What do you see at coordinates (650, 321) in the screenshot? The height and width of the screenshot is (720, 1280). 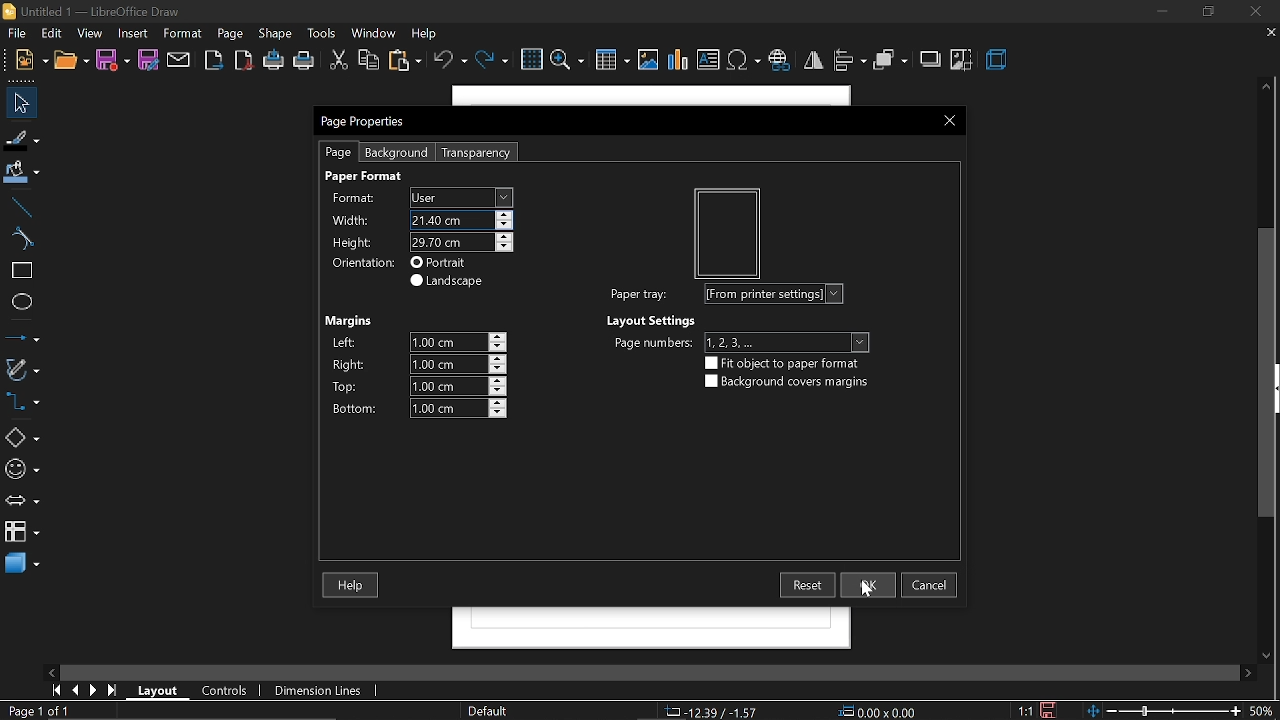 I see `Layout settings` at bounding box center [650, 321].